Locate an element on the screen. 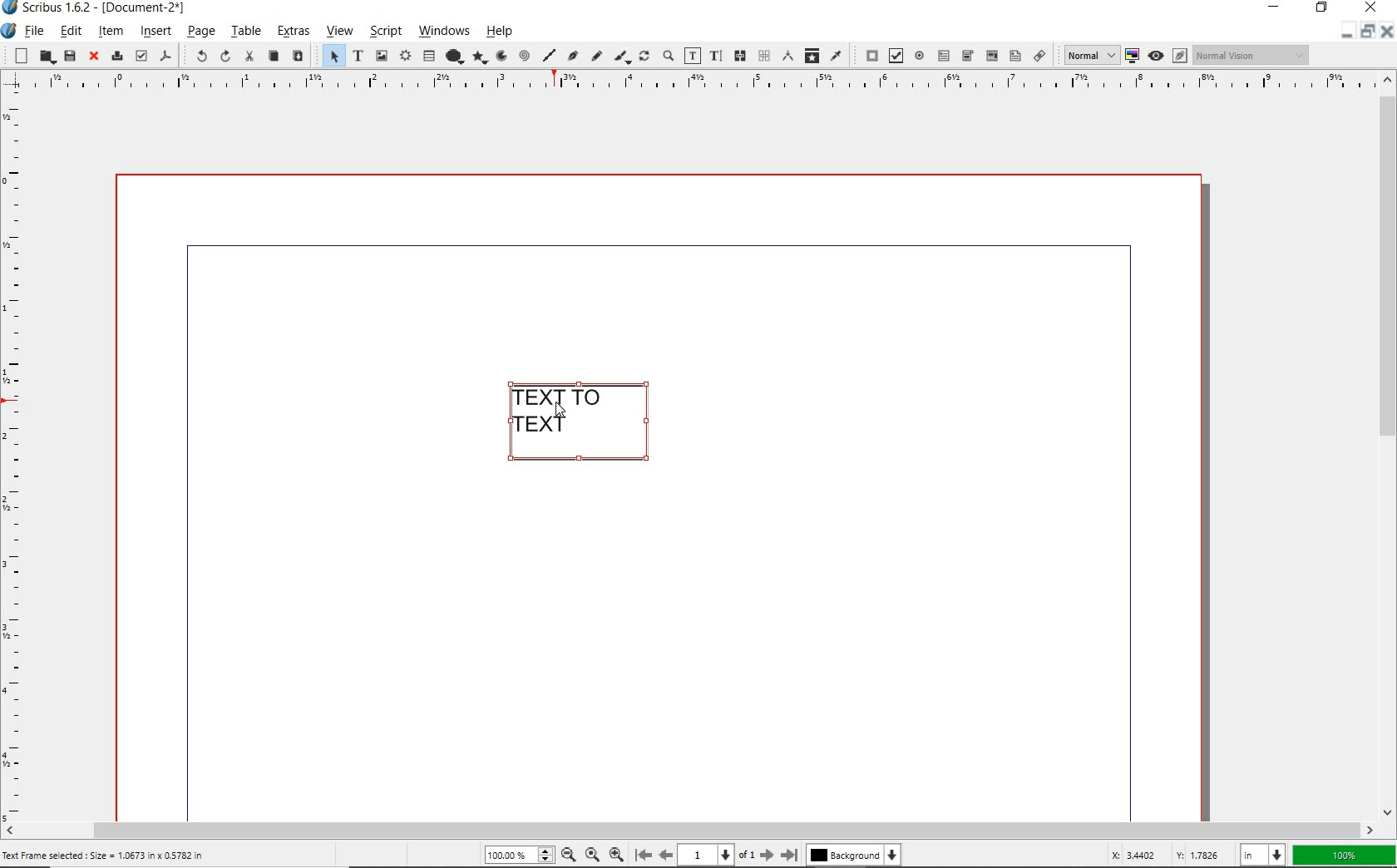 The width and height of the screenshot is (1397, 868). table is located at coordinates (428, 56).